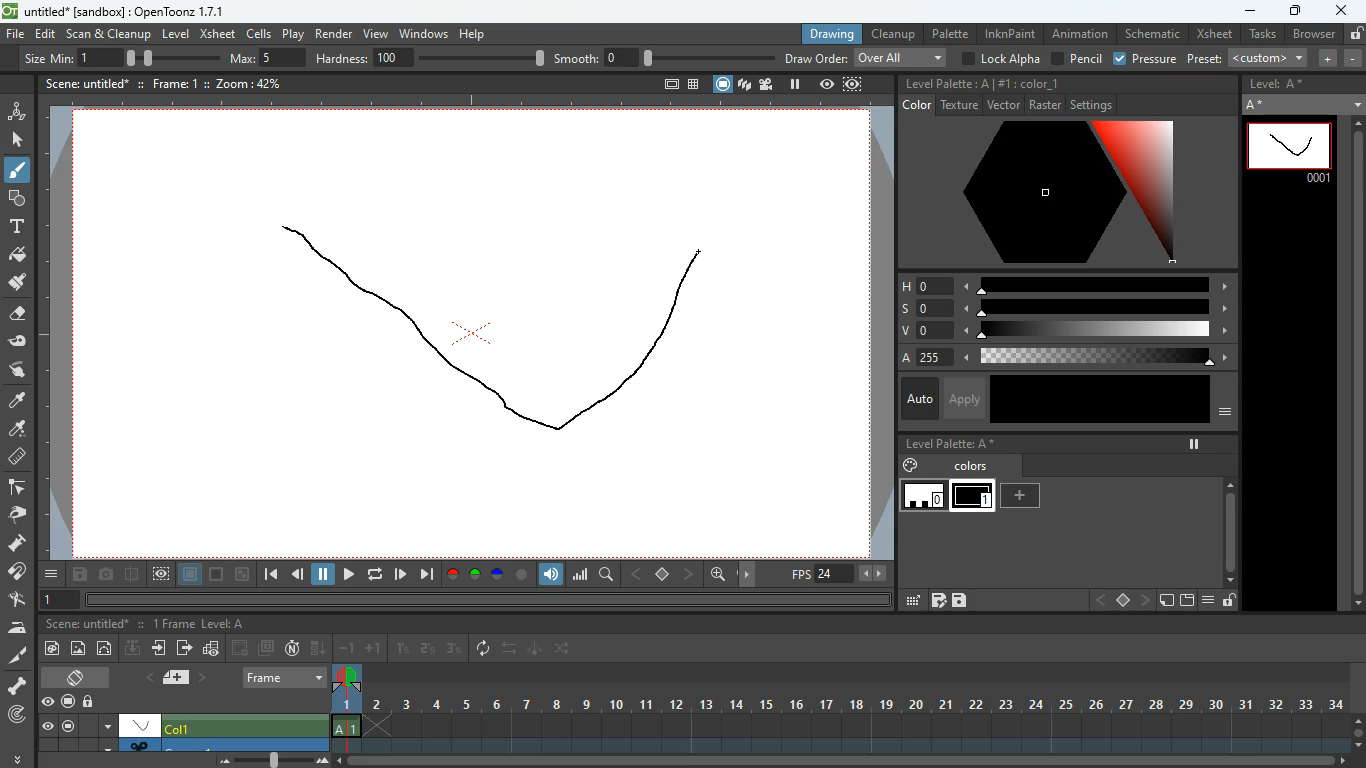  What do you see at coordinates (403, 649) in the screenshot?
I see `1` at bounding box center [403, 649].